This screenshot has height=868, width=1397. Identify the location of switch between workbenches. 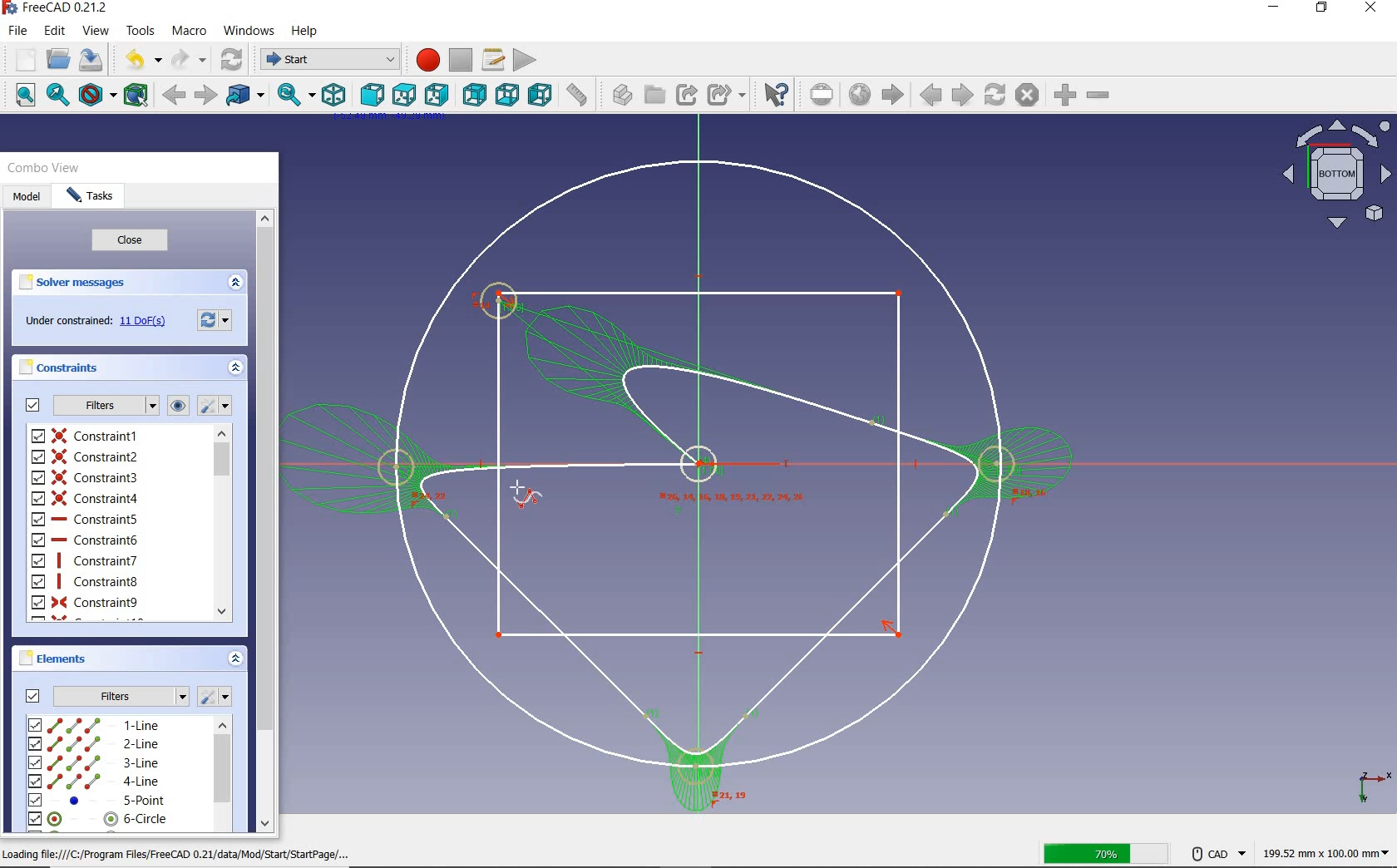
(325, 58).